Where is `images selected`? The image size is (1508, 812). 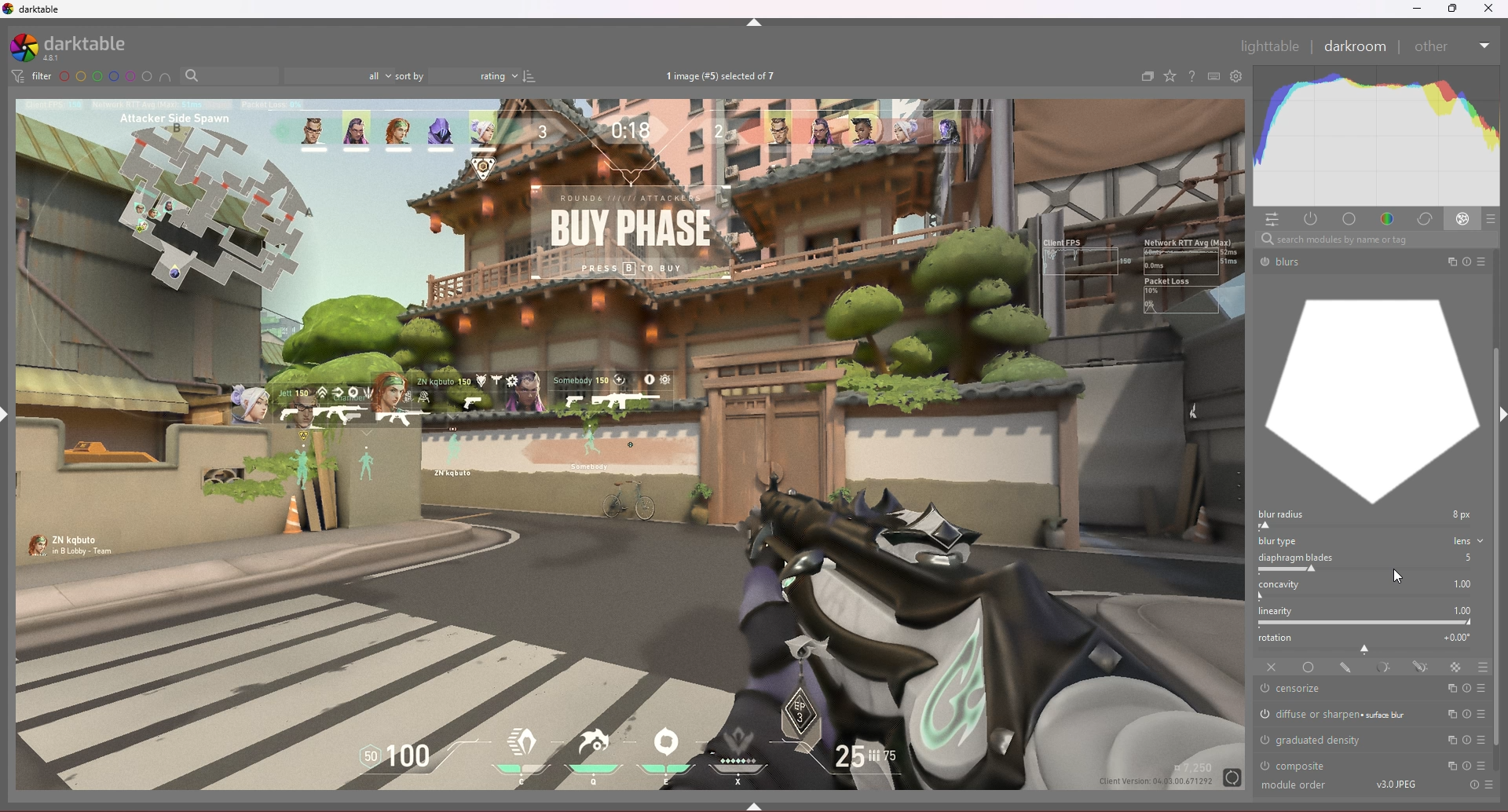 images selected is located at coordinates (723, 75).